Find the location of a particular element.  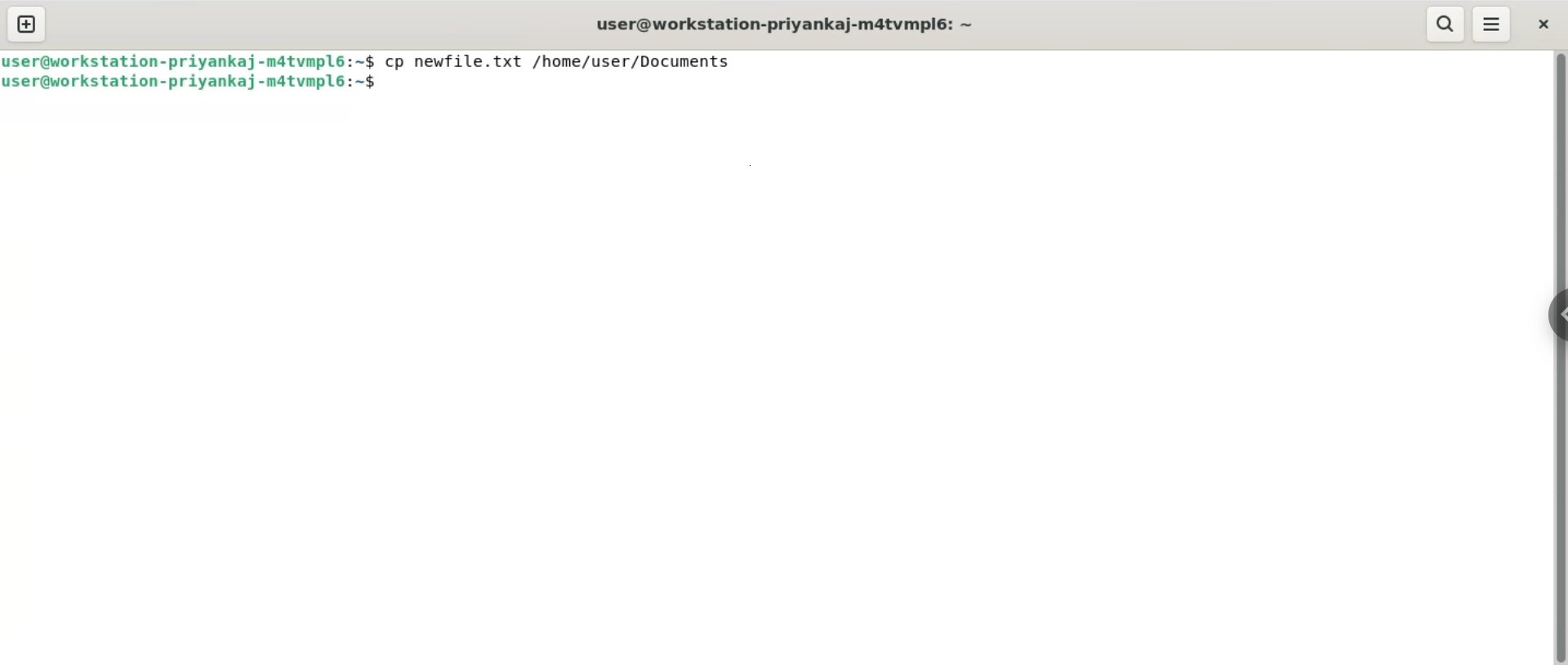

search is located at coordinates (1446, 25).